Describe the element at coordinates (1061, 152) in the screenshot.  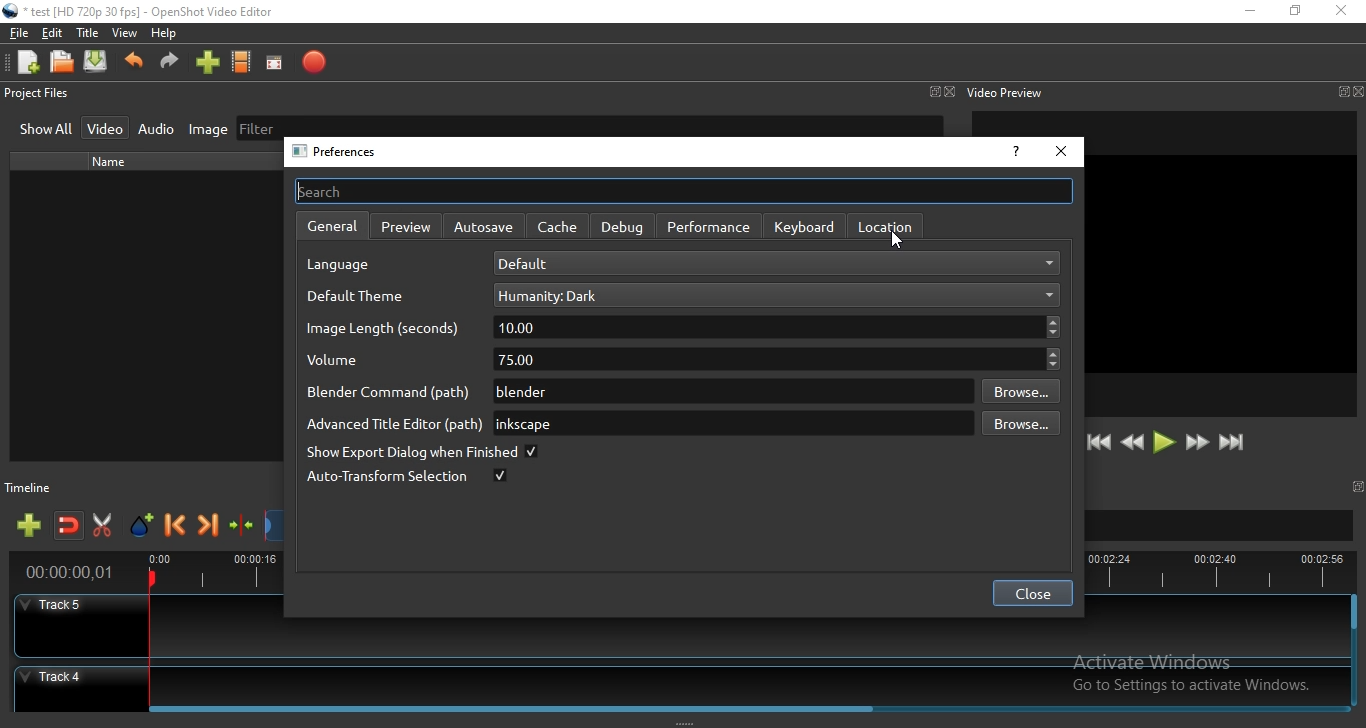
I see `close` at that location.